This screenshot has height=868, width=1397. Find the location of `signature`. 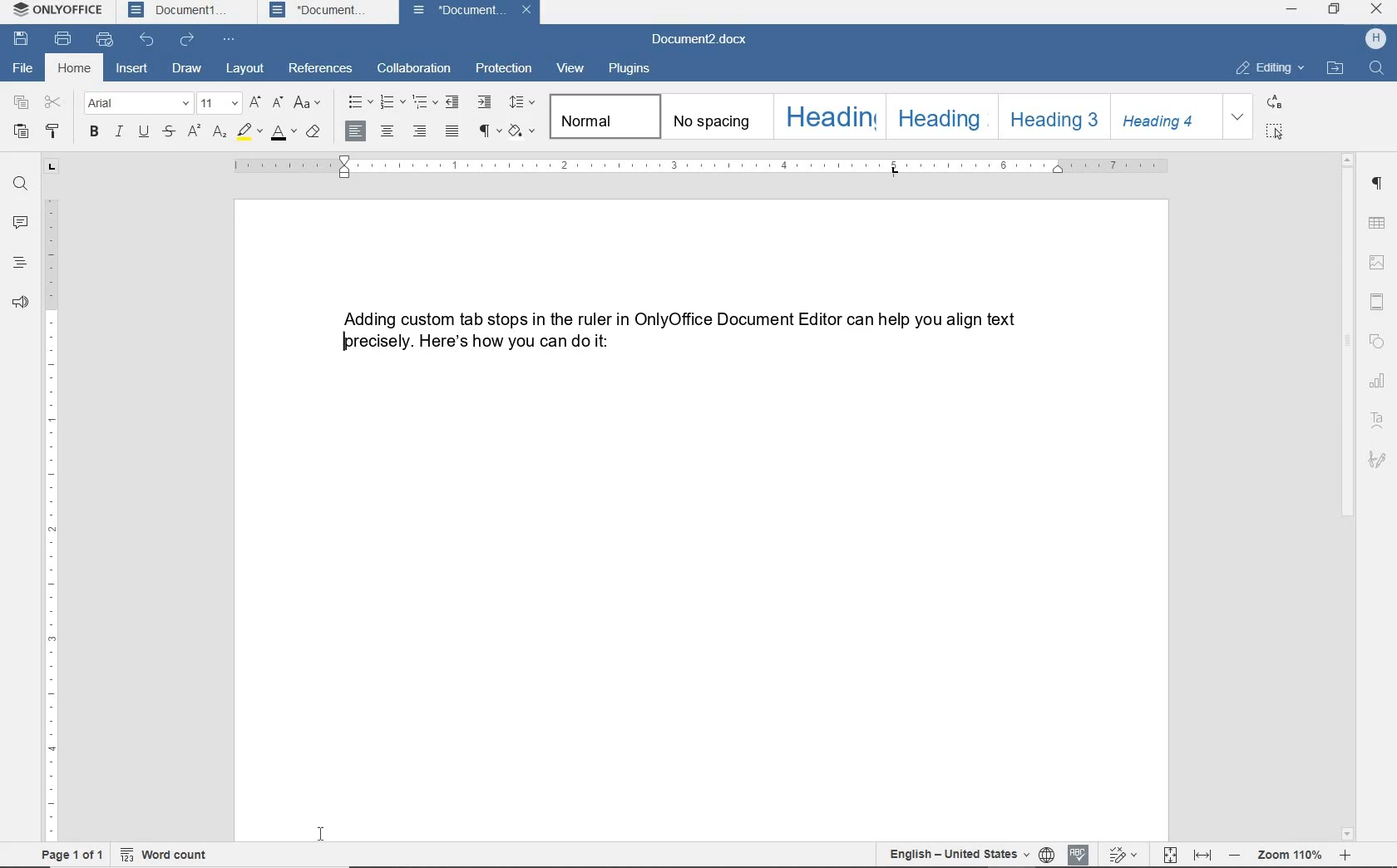

signature is located at coordinates (1377, 460).